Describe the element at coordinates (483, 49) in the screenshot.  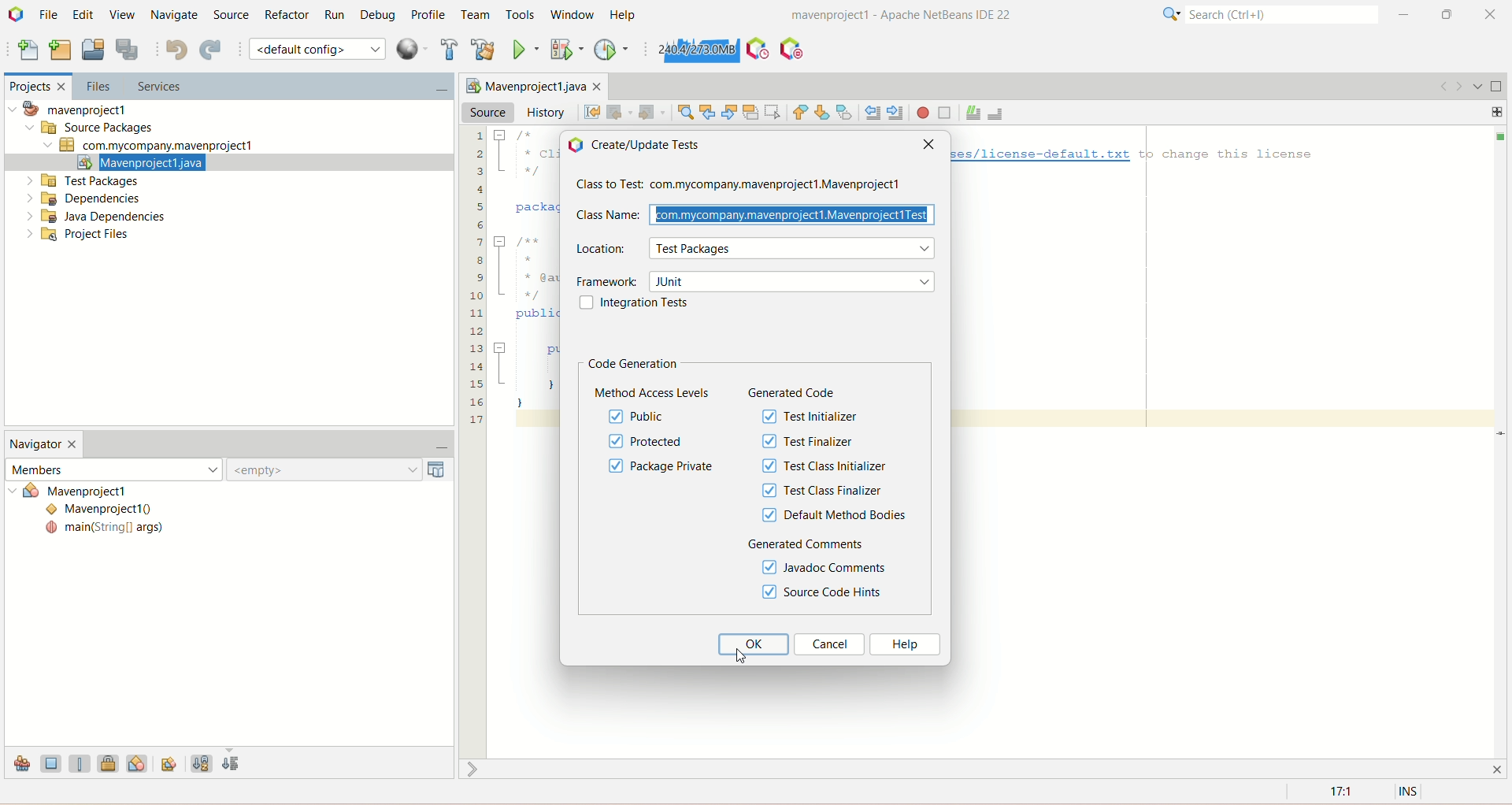
I see `clean and build project` at that location.